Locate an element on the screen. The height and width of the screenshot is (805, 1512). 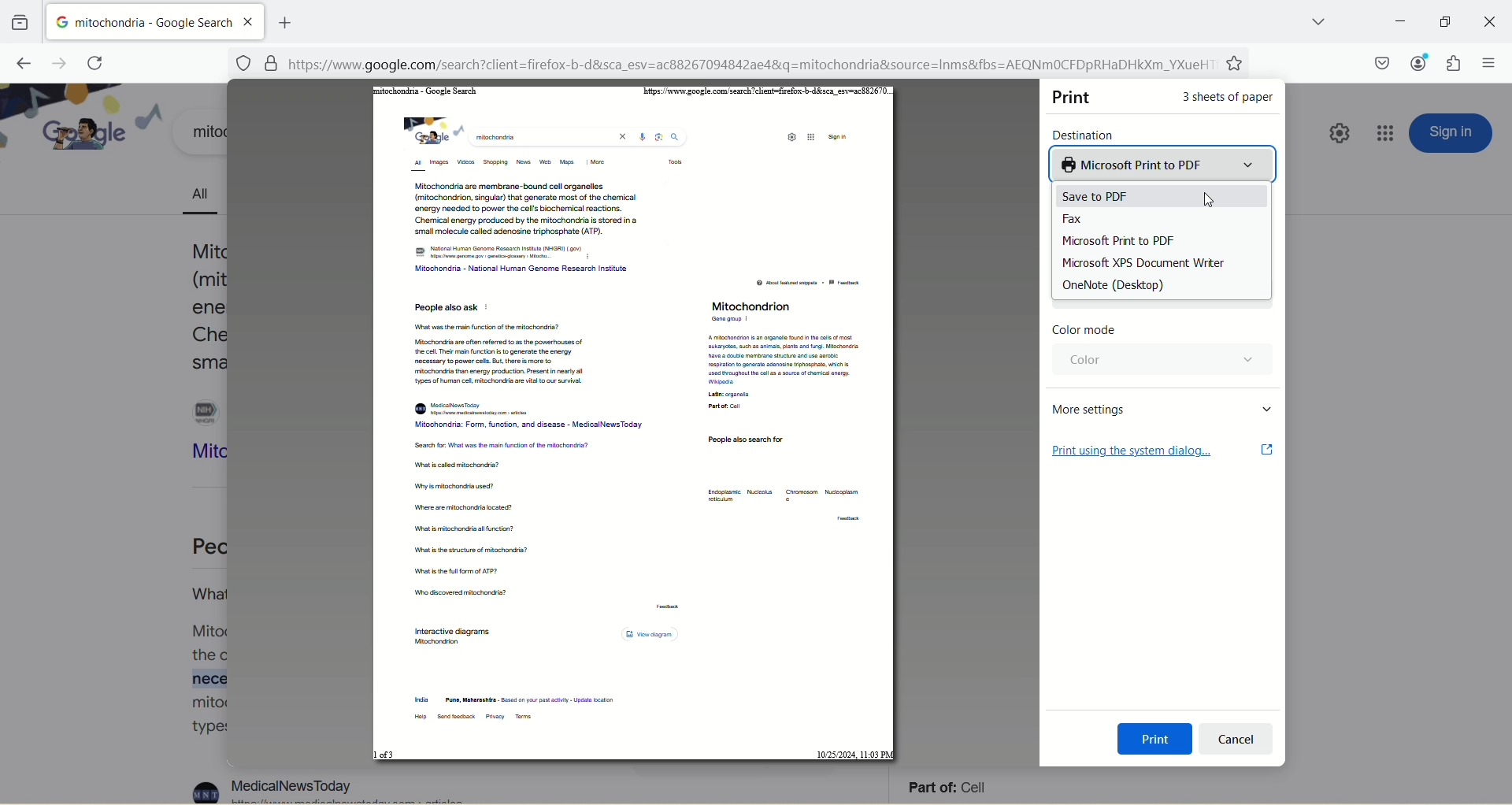
print using the system dialog is located at coordinates (1163, 451).